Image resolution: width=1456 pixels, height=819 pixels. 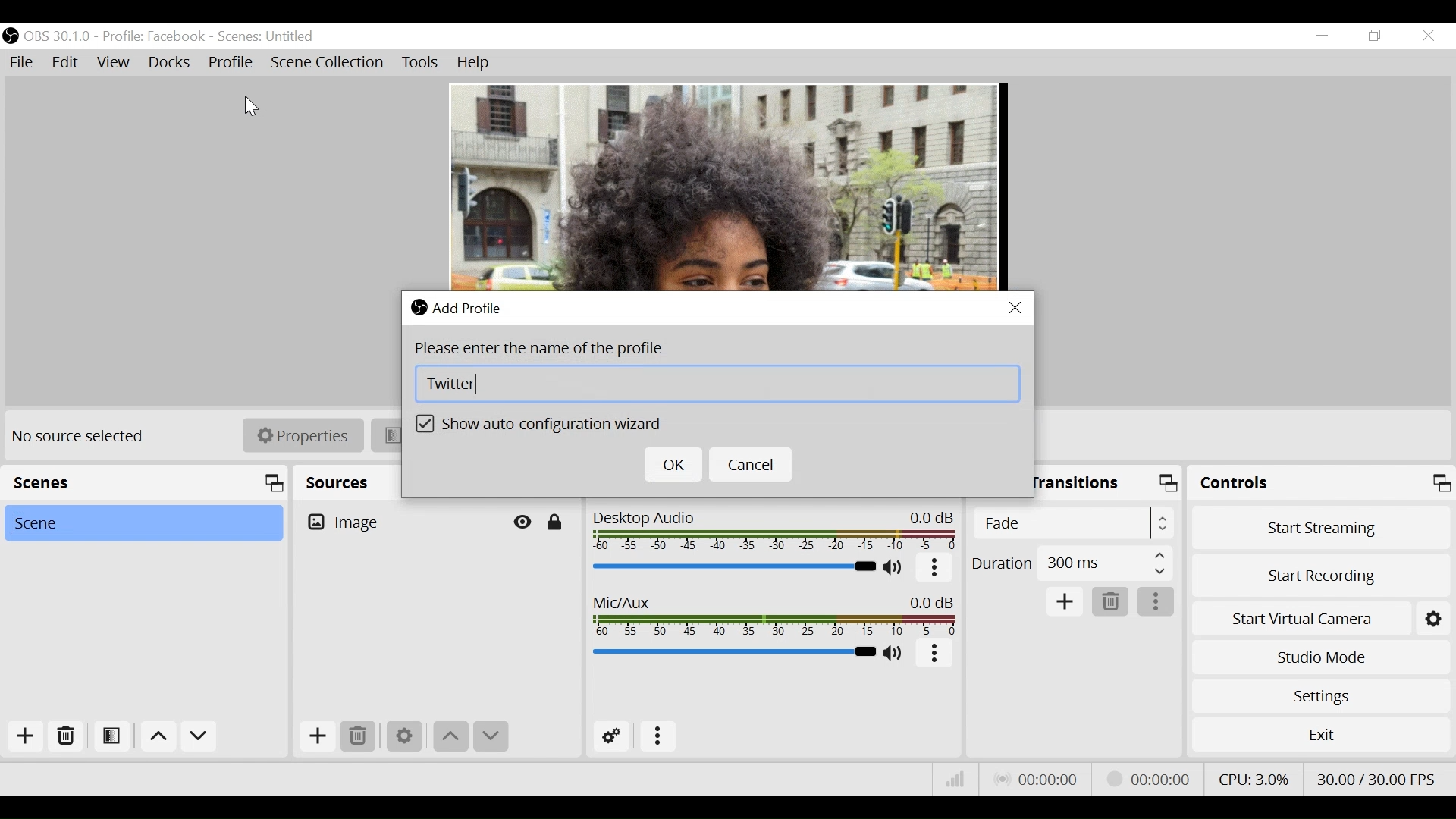 What do you see at coordinates (330, 64) in the screenshot?
I see `Scene Collection` at bounding box center [330, 64].